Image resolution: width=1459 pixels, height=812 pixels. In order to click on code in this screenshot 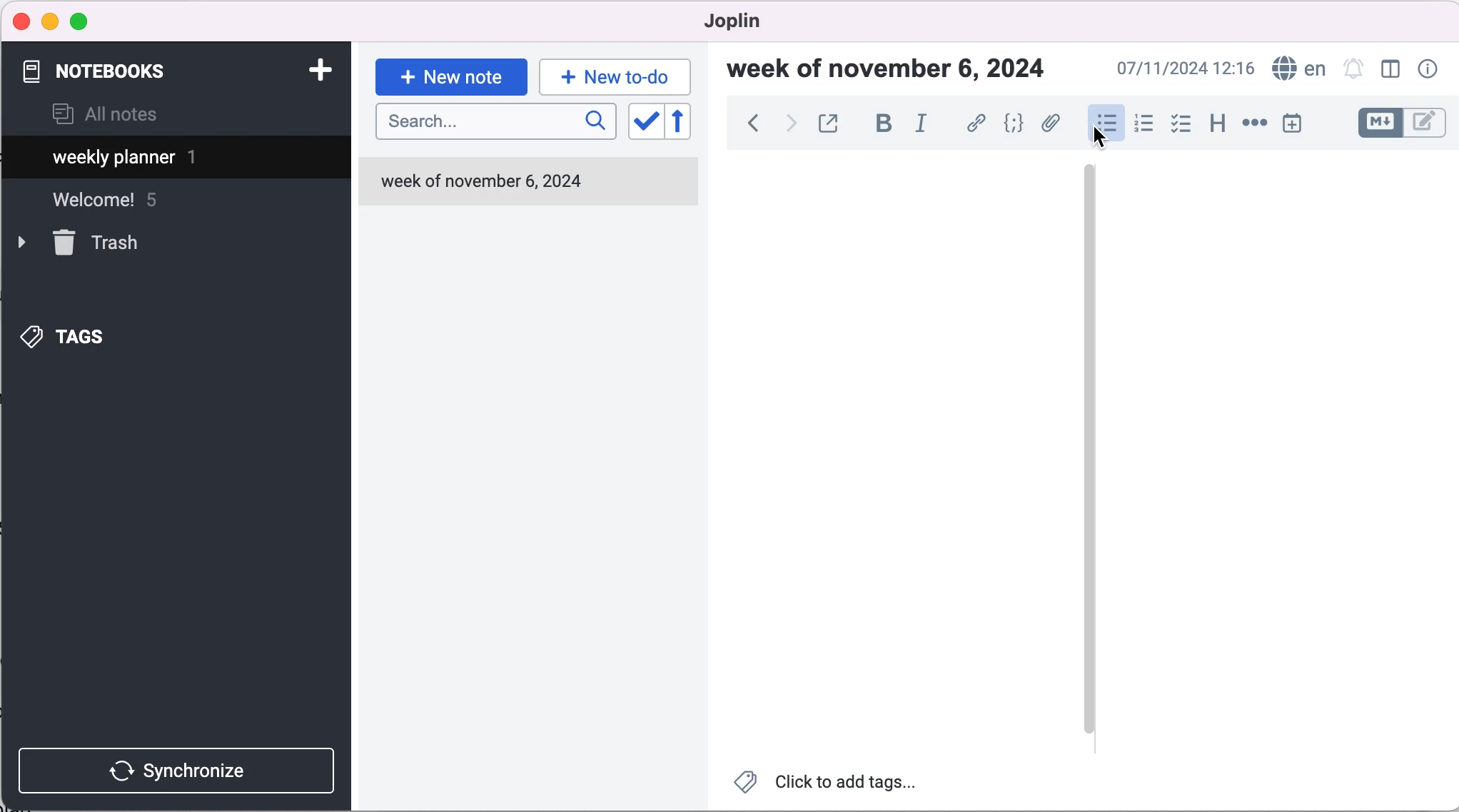, I will do `click(1014, 125)`.